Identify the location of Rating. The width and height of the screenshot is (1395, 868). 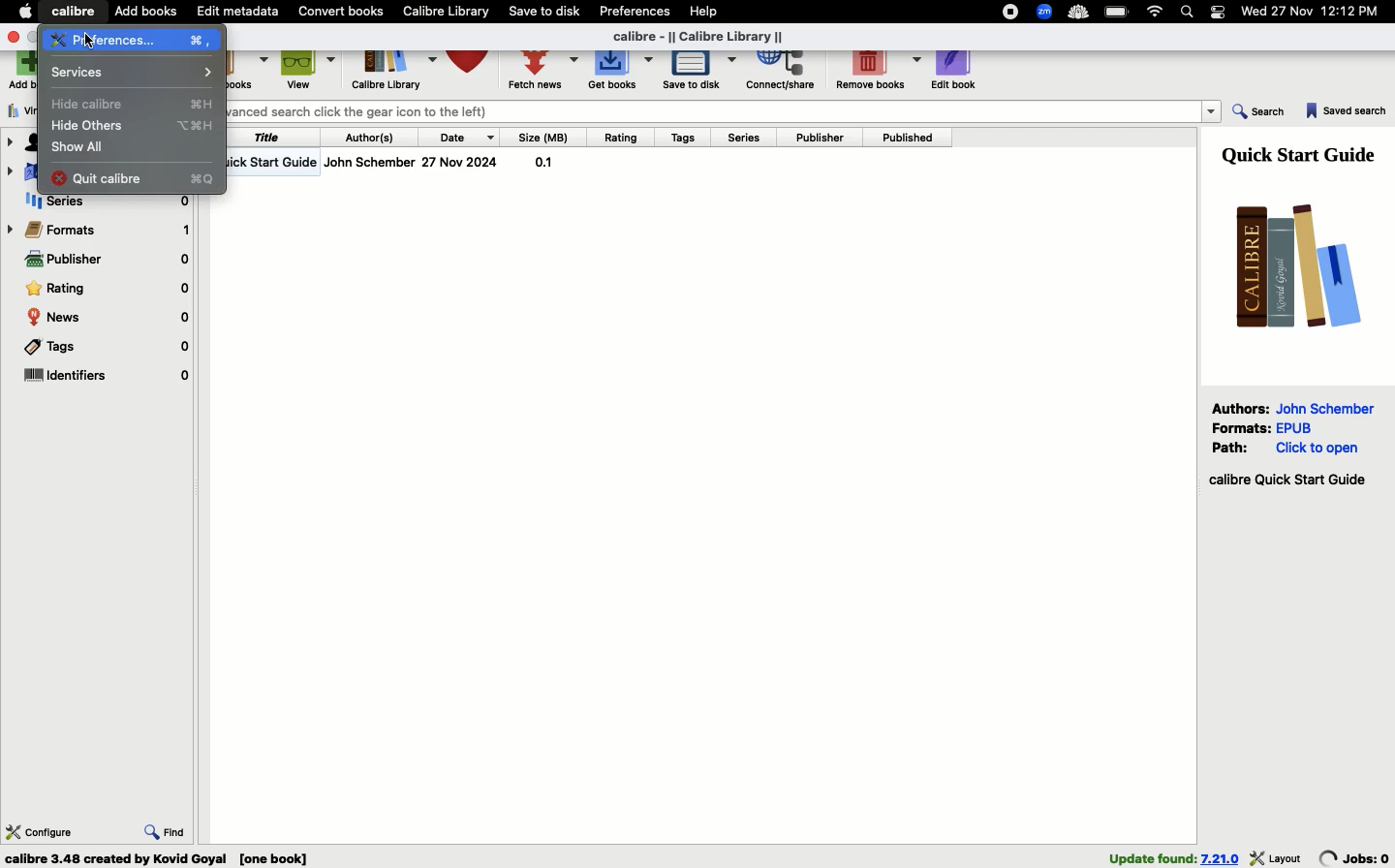
(108, 289).